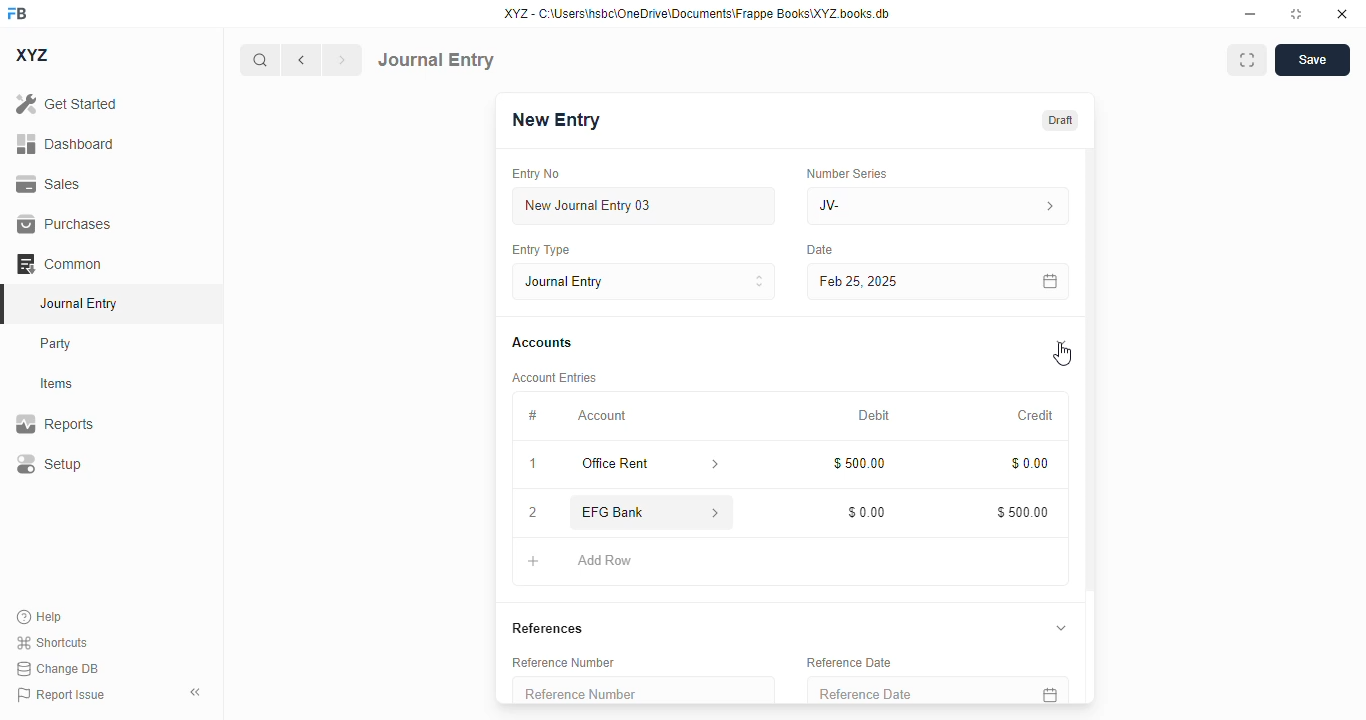  What do you see at coordinates (77, 303) in the screenshot?
I see `journal entry` at bounding box center [77, 303].